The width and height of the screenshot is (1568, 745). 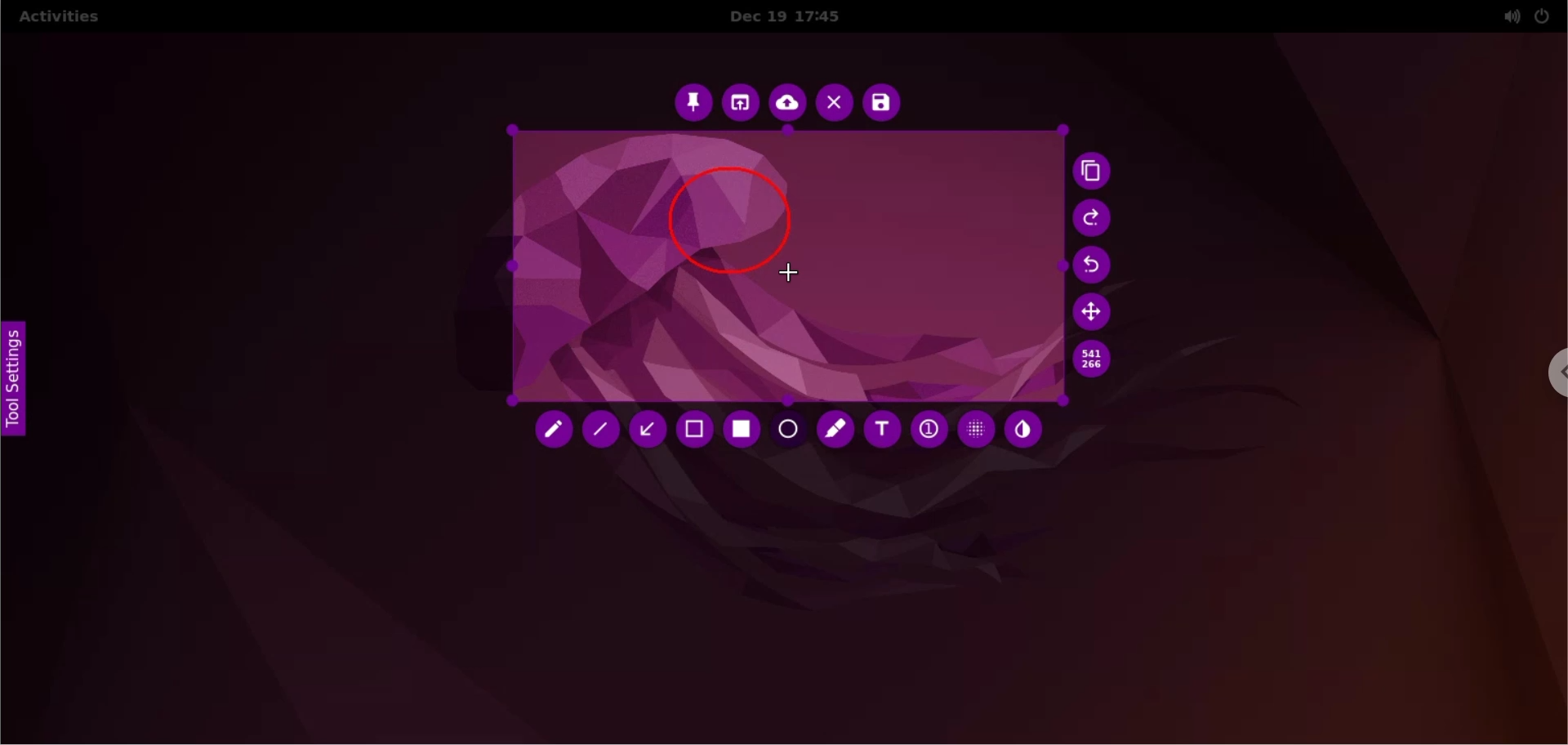 What do you see at coordinates (650, 430) in the screenshot?
I see `arrow tool` at bounding box center [650, 430].